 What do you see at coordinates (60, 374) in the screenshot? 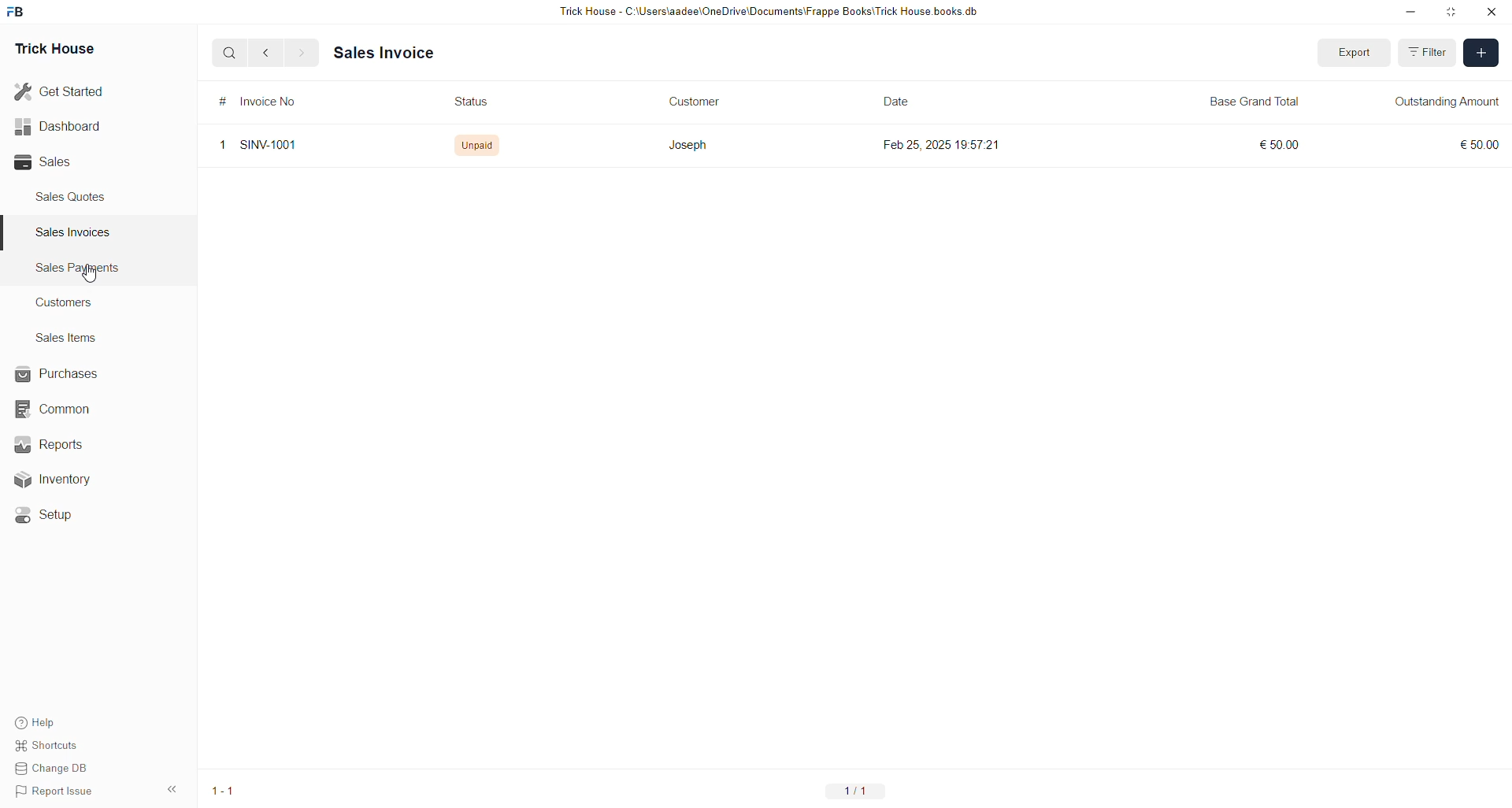
I see `Purchases` at bounding box center [60, 374].